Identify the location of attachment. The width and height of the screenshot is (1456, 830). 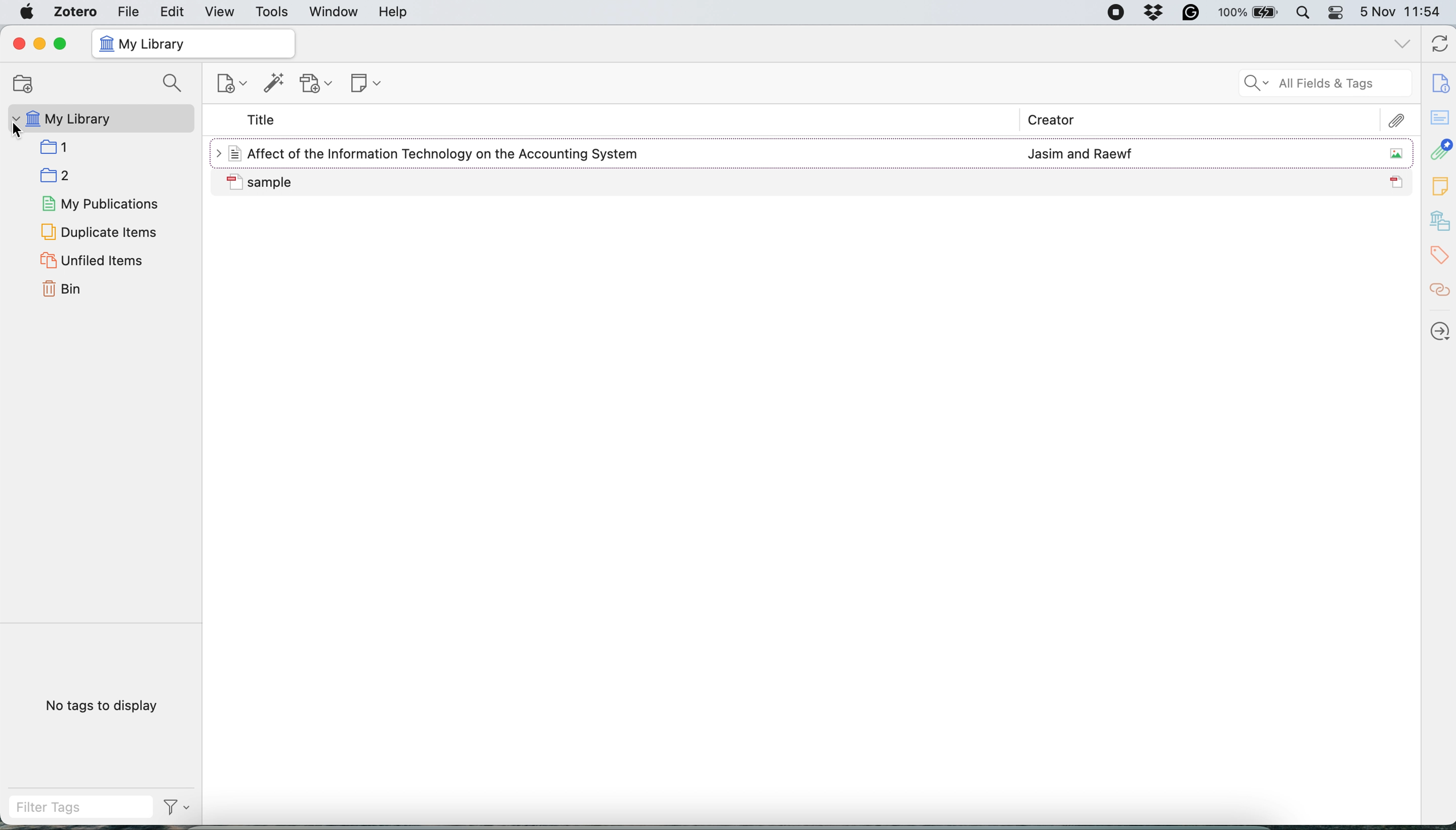
(1439, 150).